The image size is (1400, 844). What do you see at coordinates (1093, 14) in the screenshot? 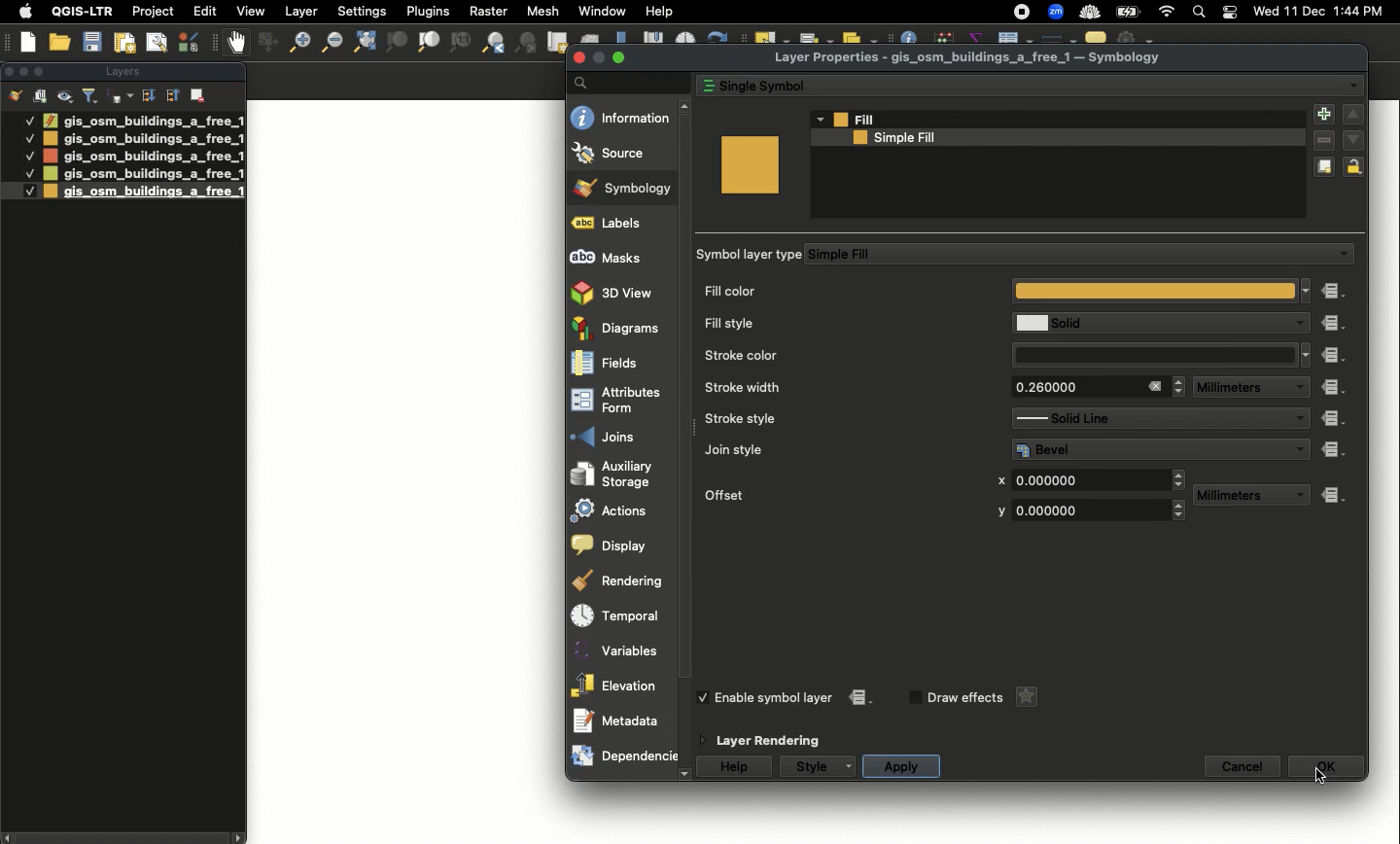
I see `` at bounding box center [1093, 14].